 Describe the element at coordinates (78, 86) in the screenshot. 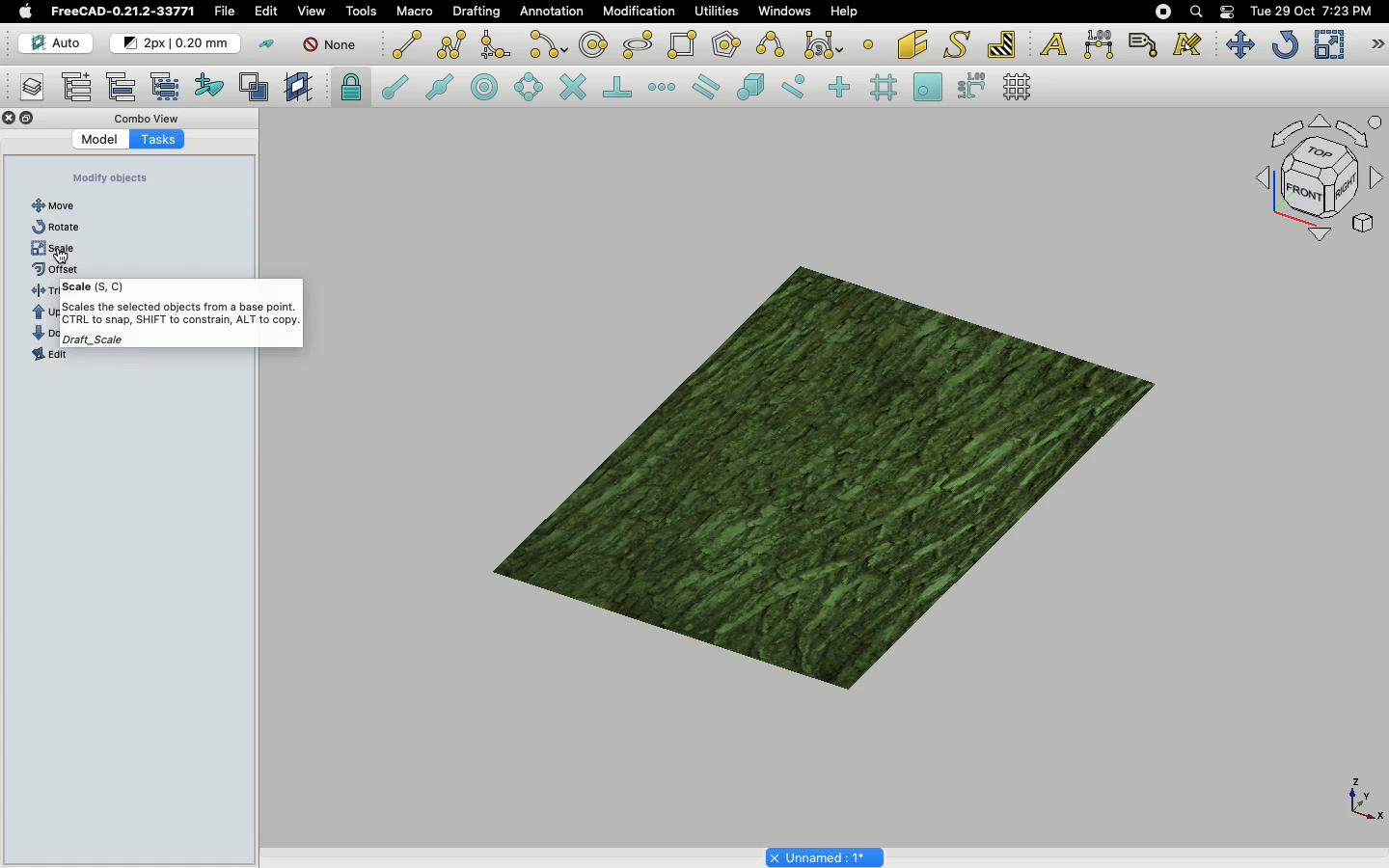

I see `Add new named group` at that location.